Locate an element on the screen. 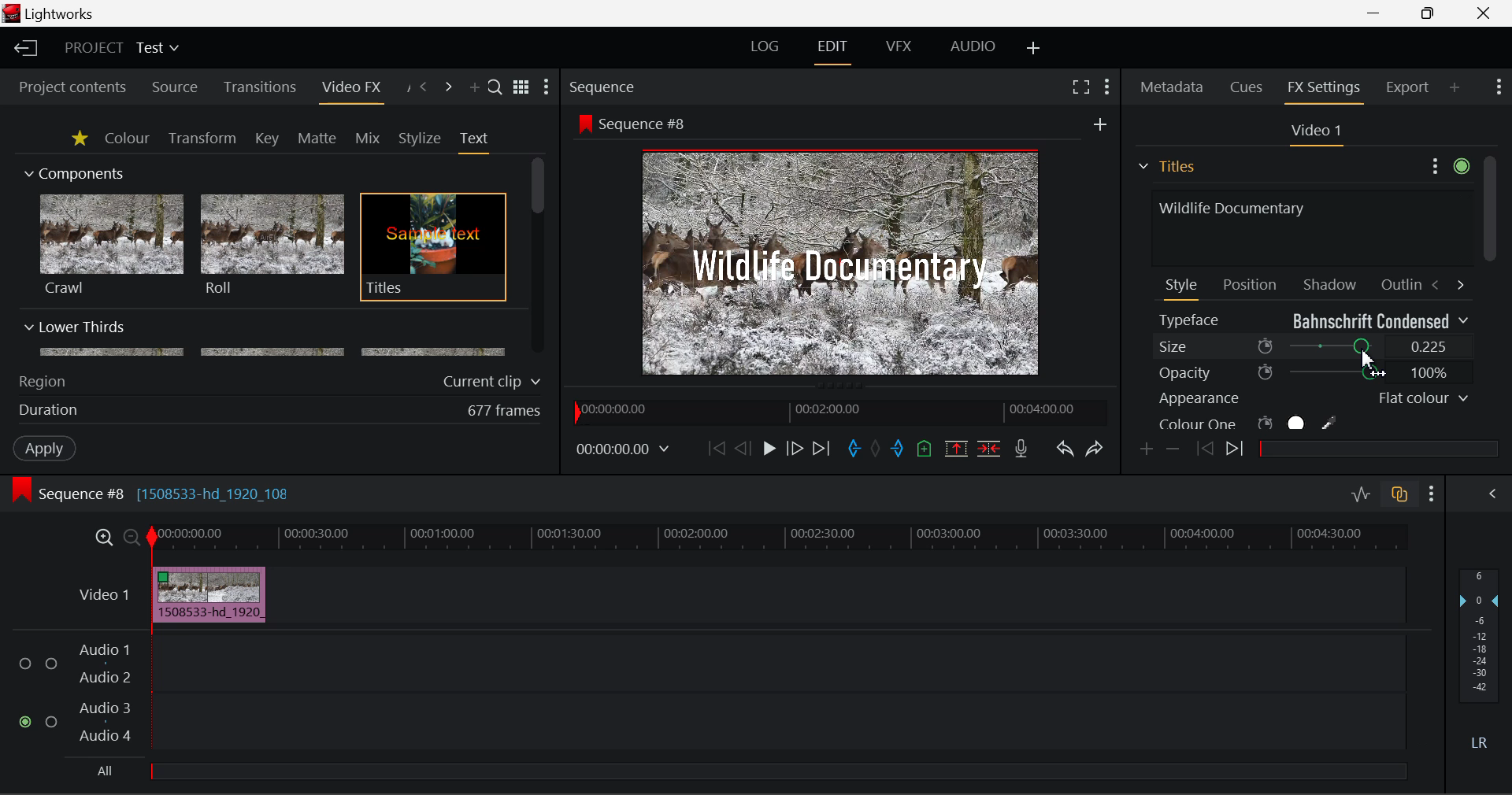 The image size is (1512, 795). Components Section is located at coordinates (72, 170).